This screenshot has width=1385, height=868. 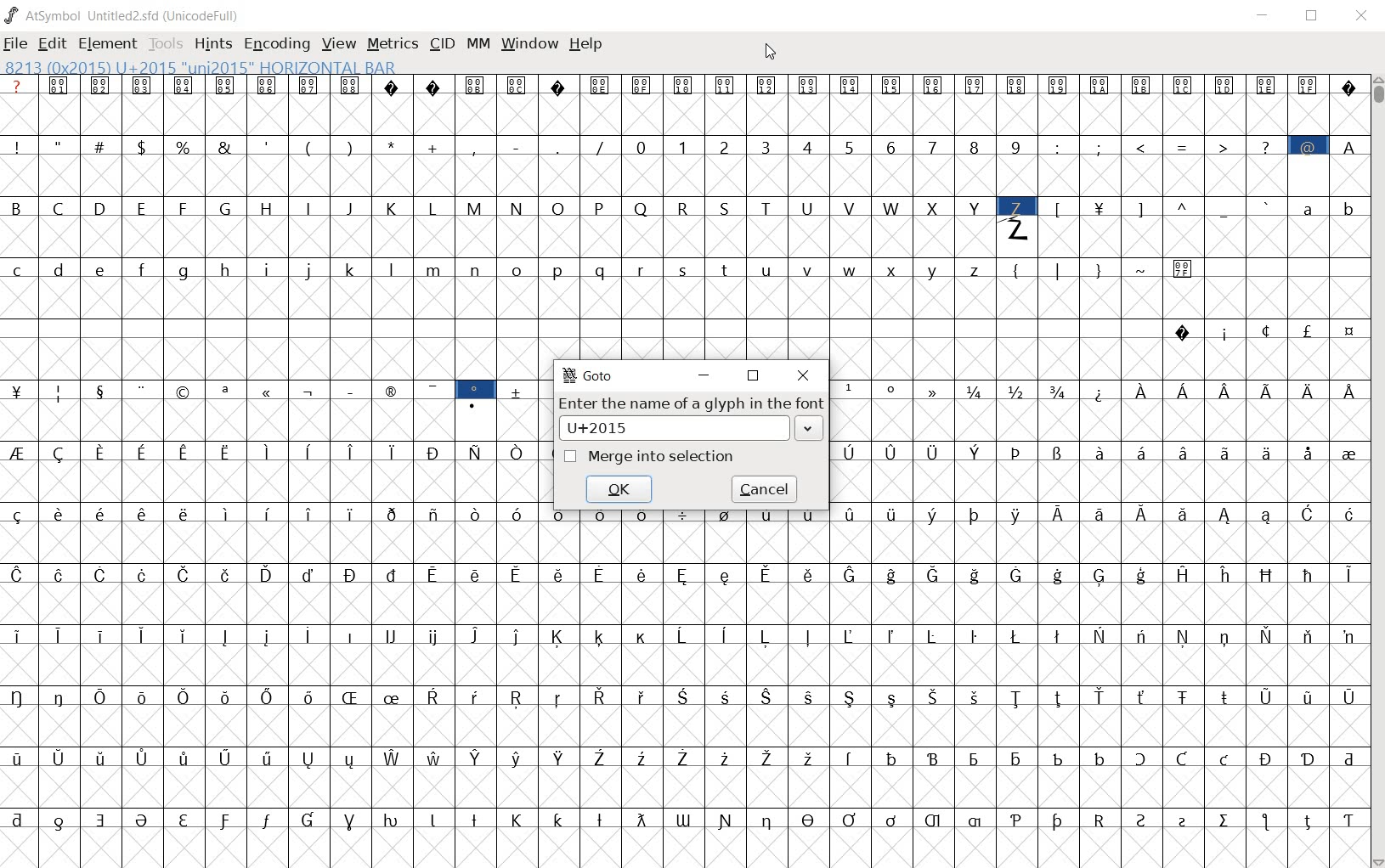 What do you see at coordinates (277, 44) in the screenshot?
I see `ENCODING` at bounding box center [277, 44].